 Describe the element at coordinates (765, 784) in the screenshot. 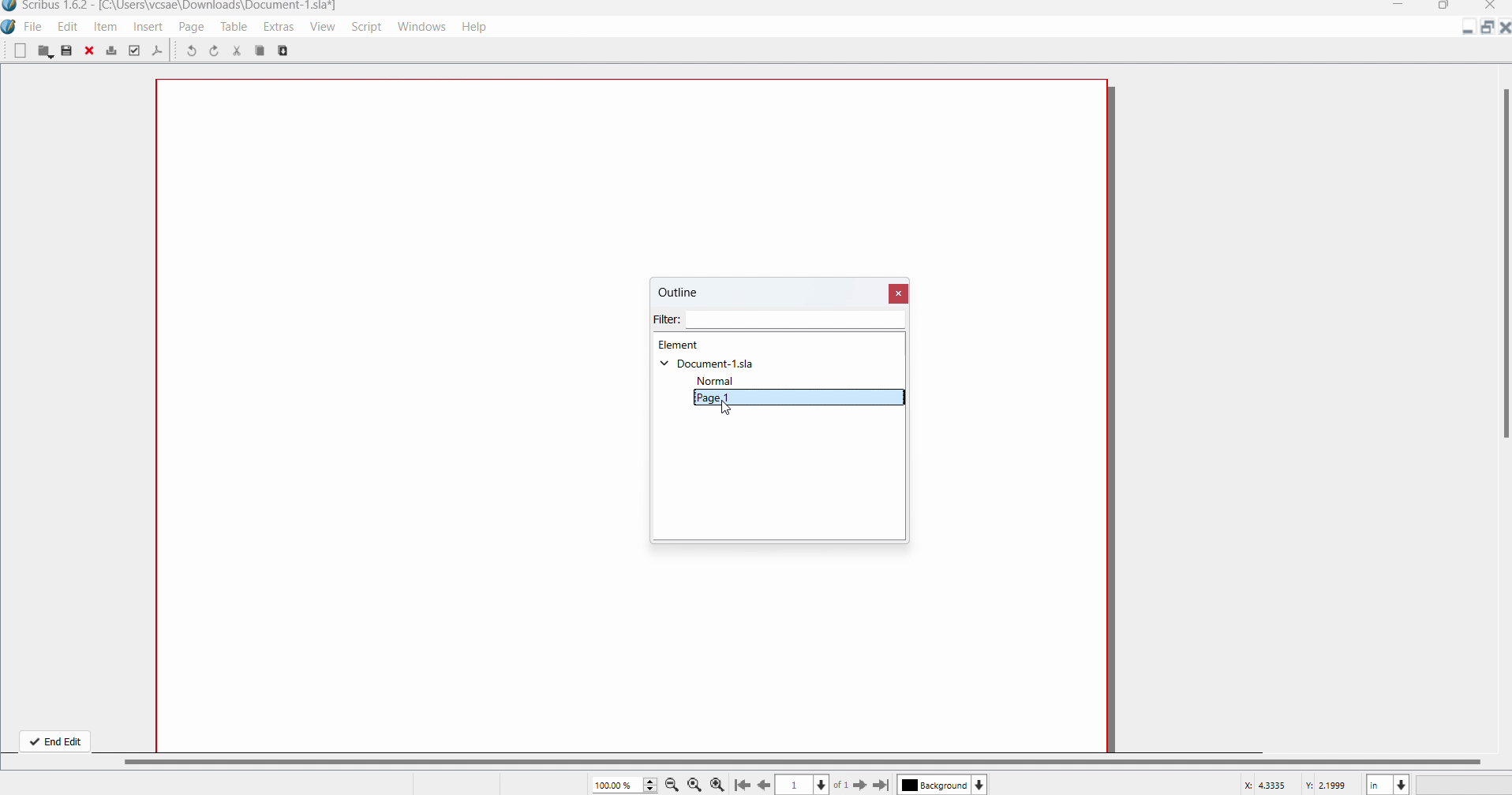

I see `back` at that location.